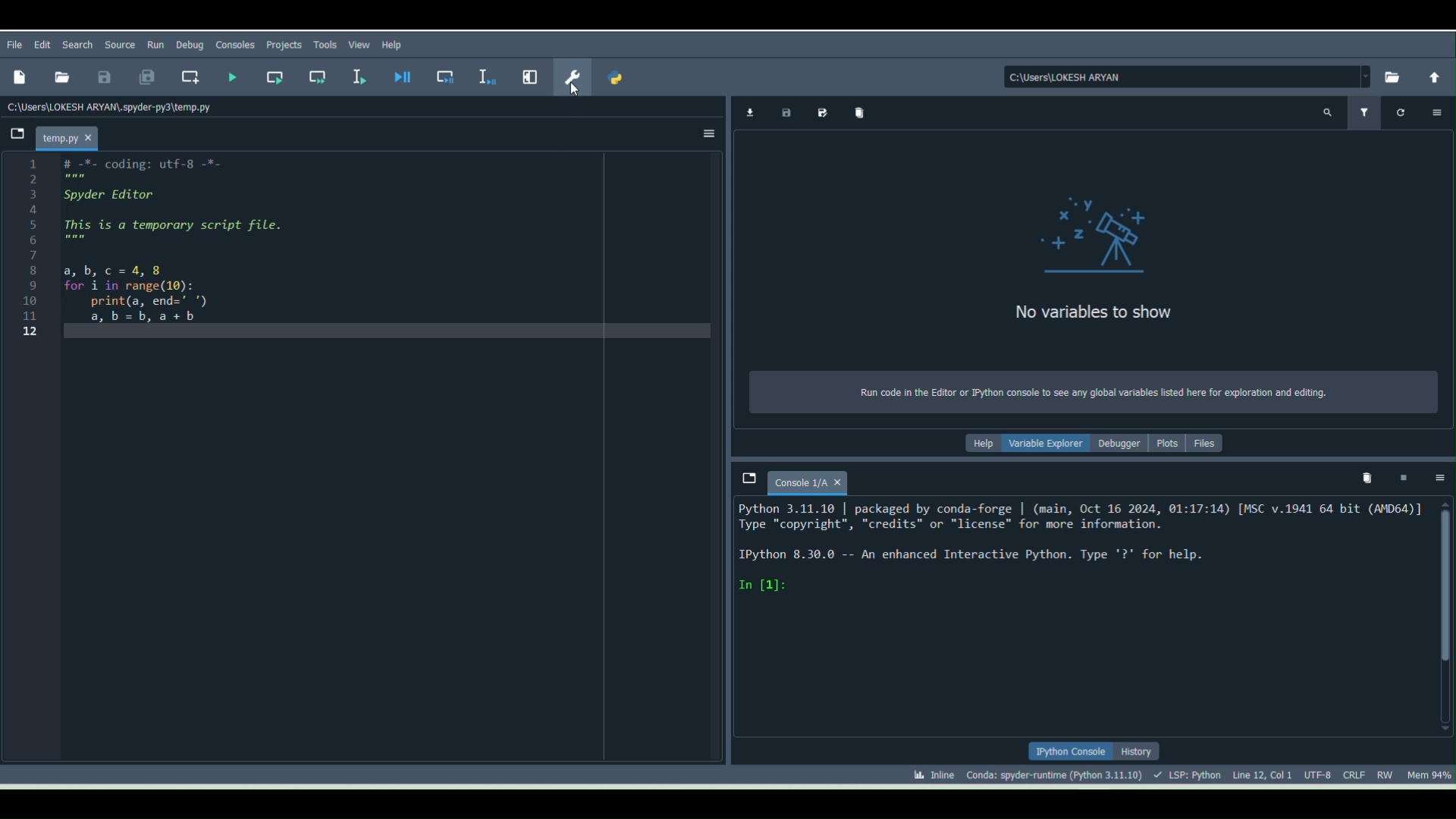 This screenshot has height=819, width=1456. Describe the element at coordinates (284, 45) in the screenshot. I see `Projects` at that location.